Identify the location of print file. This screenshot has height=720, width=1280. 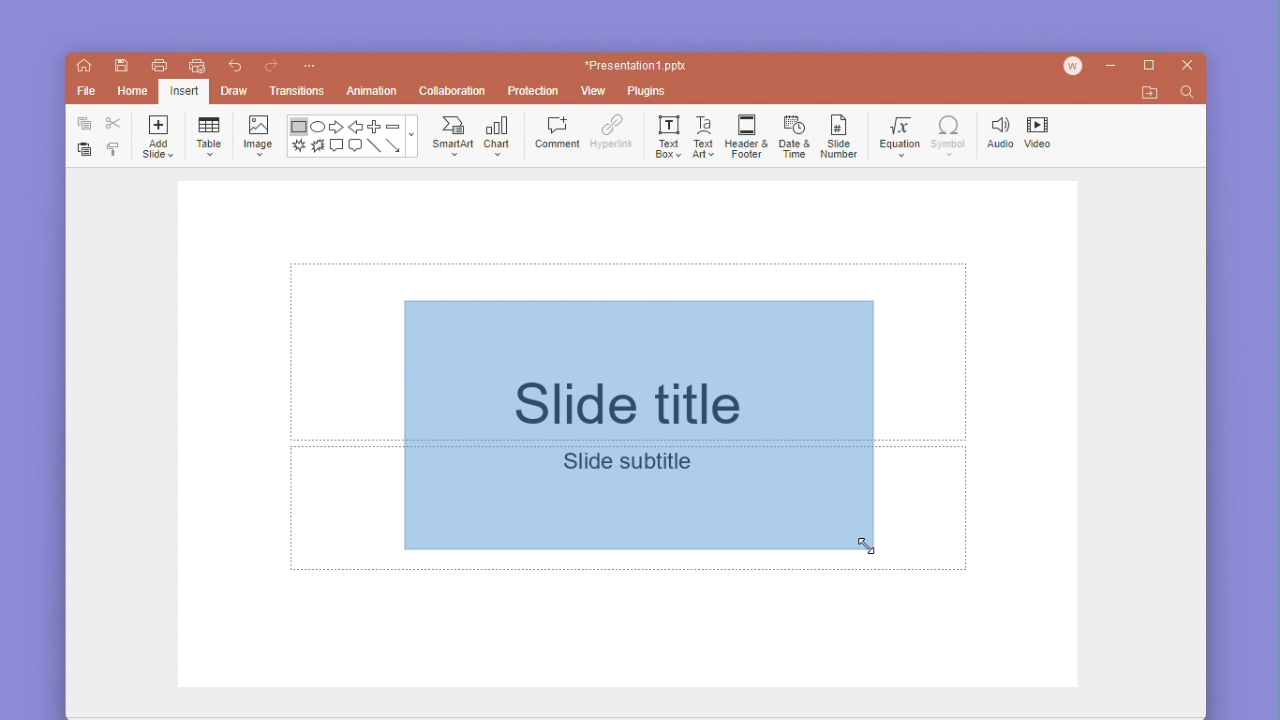
(155, 65).